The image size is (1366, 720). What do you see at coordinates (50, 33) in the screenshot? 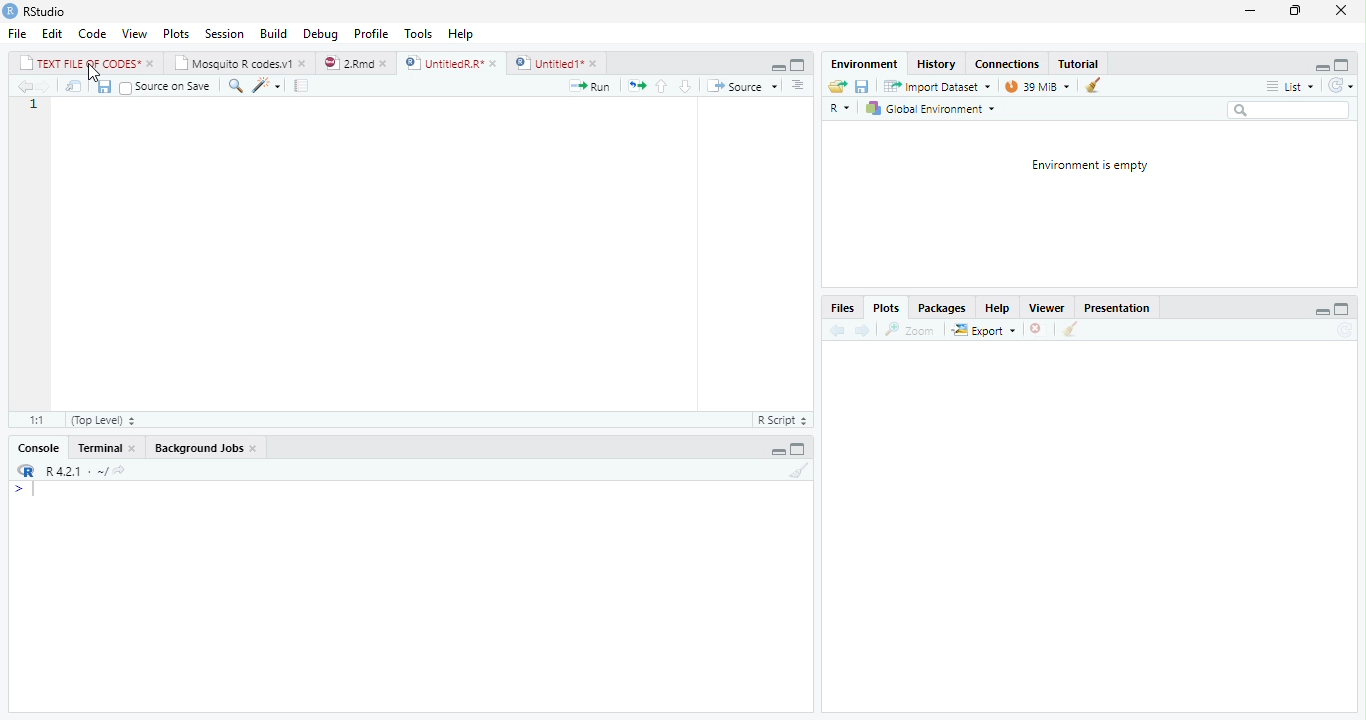
I see `Edit` at bounding box center [50, 33].